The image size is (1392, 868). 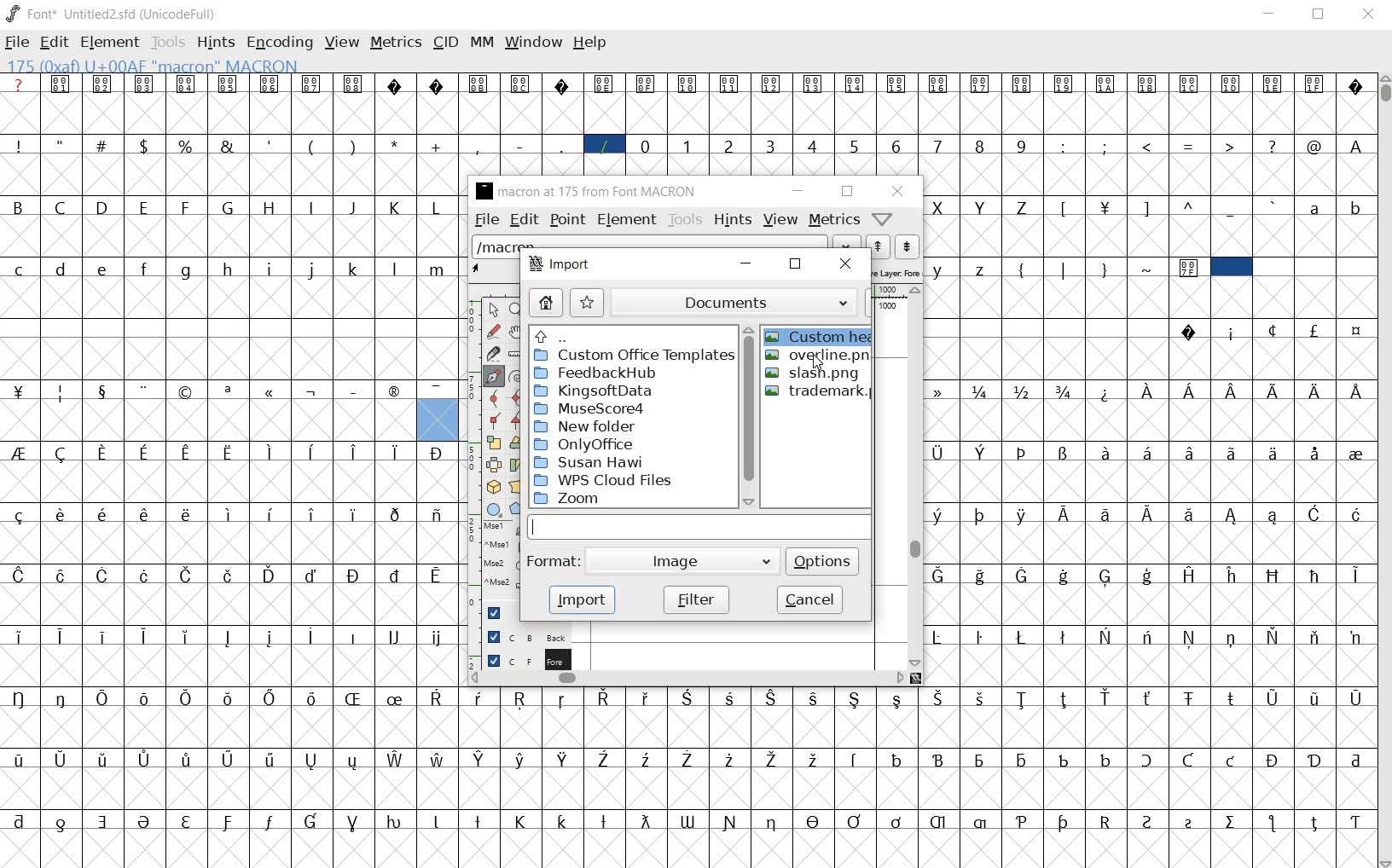 What do you see at coordinates (833, 220) in the screenshot?
I see `metrics` at bounding box center [833, 220].